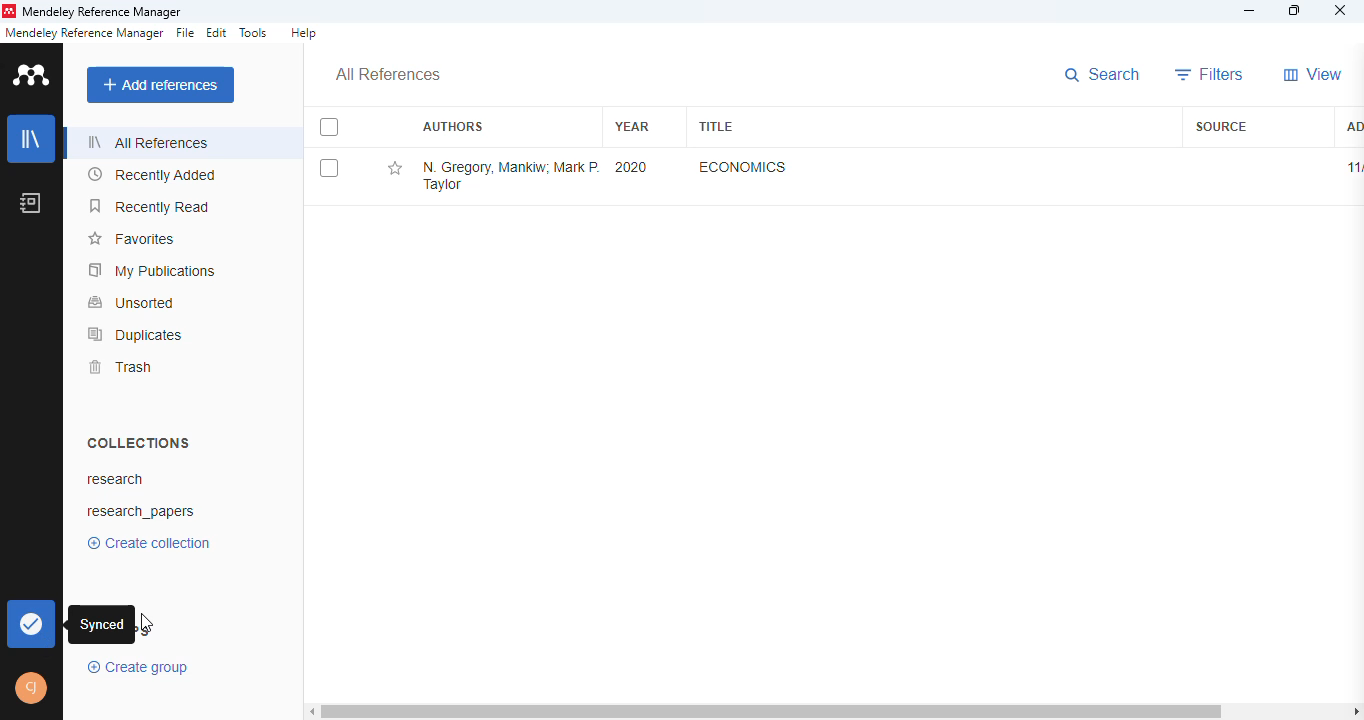  I want to click on tools, so click(253, 32).